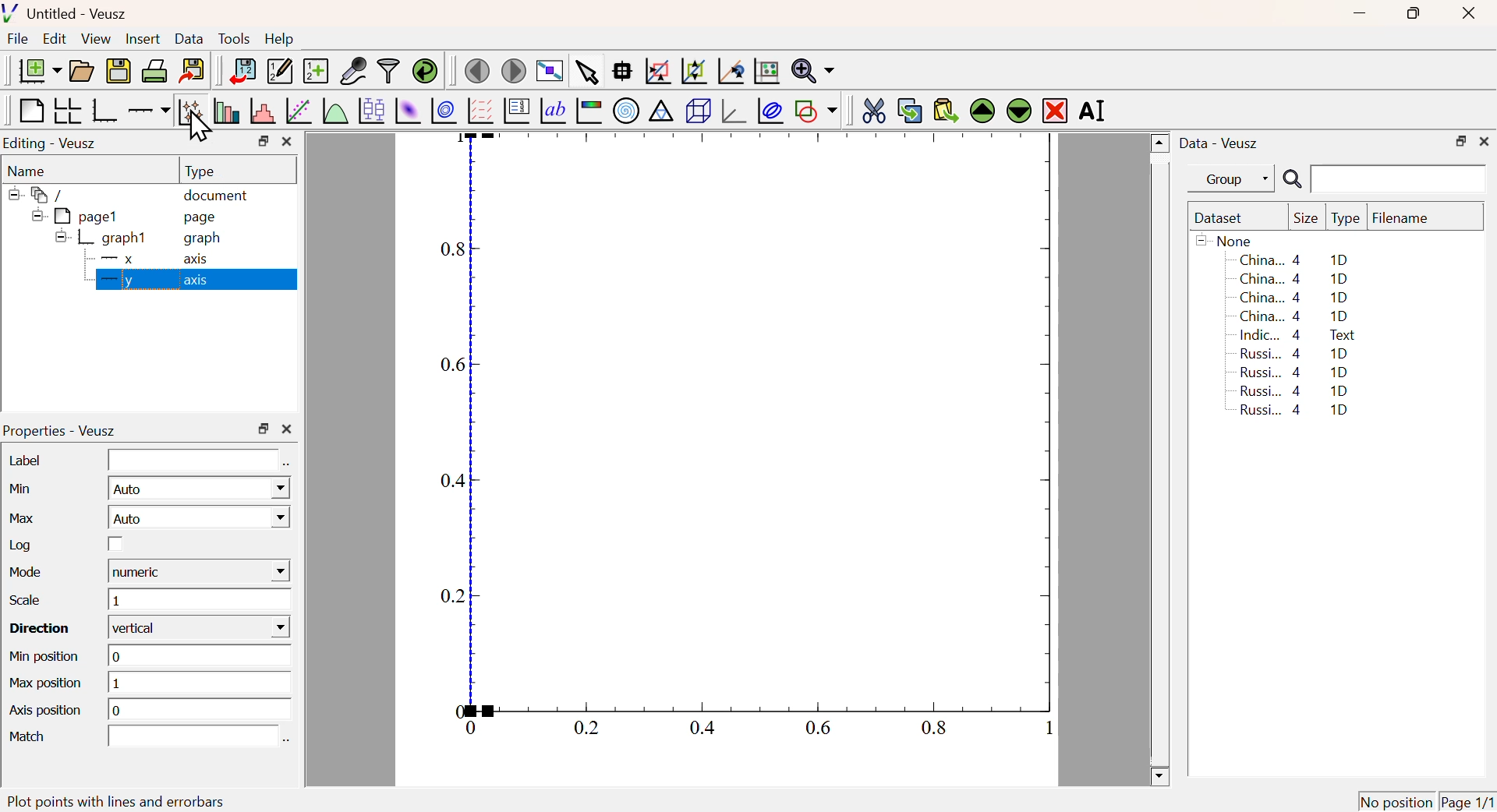 This screenshot has width=1497, height=812. Describe the element at coordinates (1294, 259) in the screenshot. I see `China... 4 1D` at that location.